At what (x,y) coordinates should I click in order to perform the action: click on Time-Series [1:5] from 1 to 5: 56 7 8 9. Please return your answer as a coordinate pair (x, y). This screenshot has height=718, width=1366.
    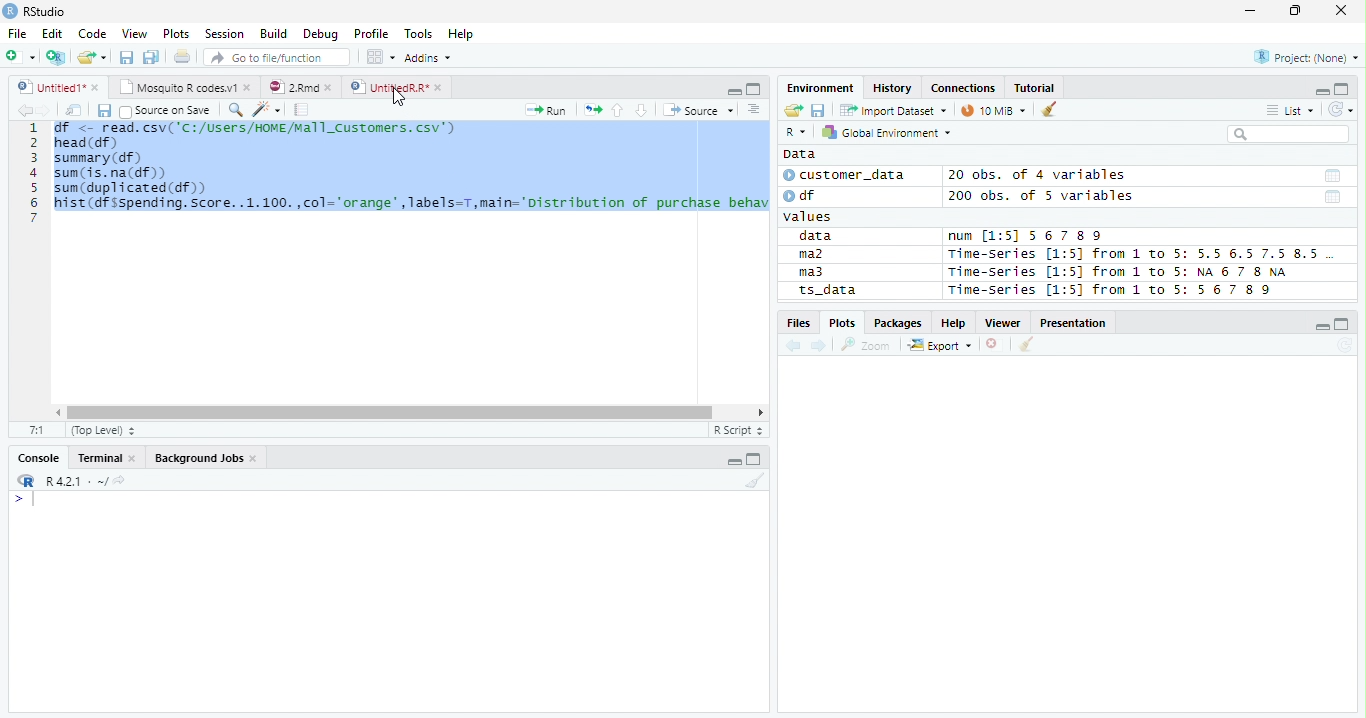
    Looking at the image, I should click on (1112, 290).